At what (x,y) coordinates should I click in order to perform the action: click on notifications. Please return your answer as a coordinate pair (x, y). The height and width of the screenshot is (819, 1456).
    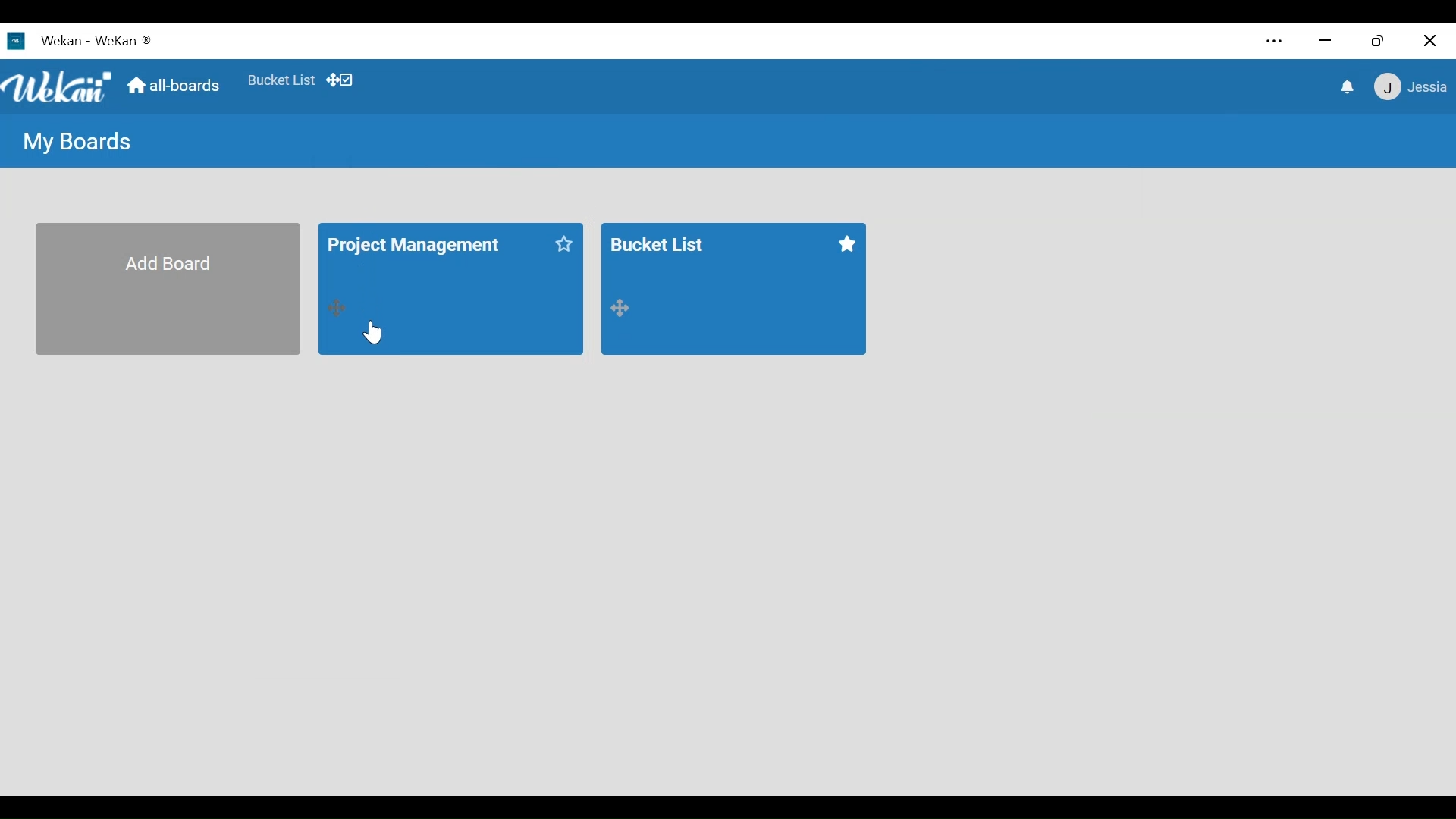
    Looking at the image, I should click on (1348, 88).